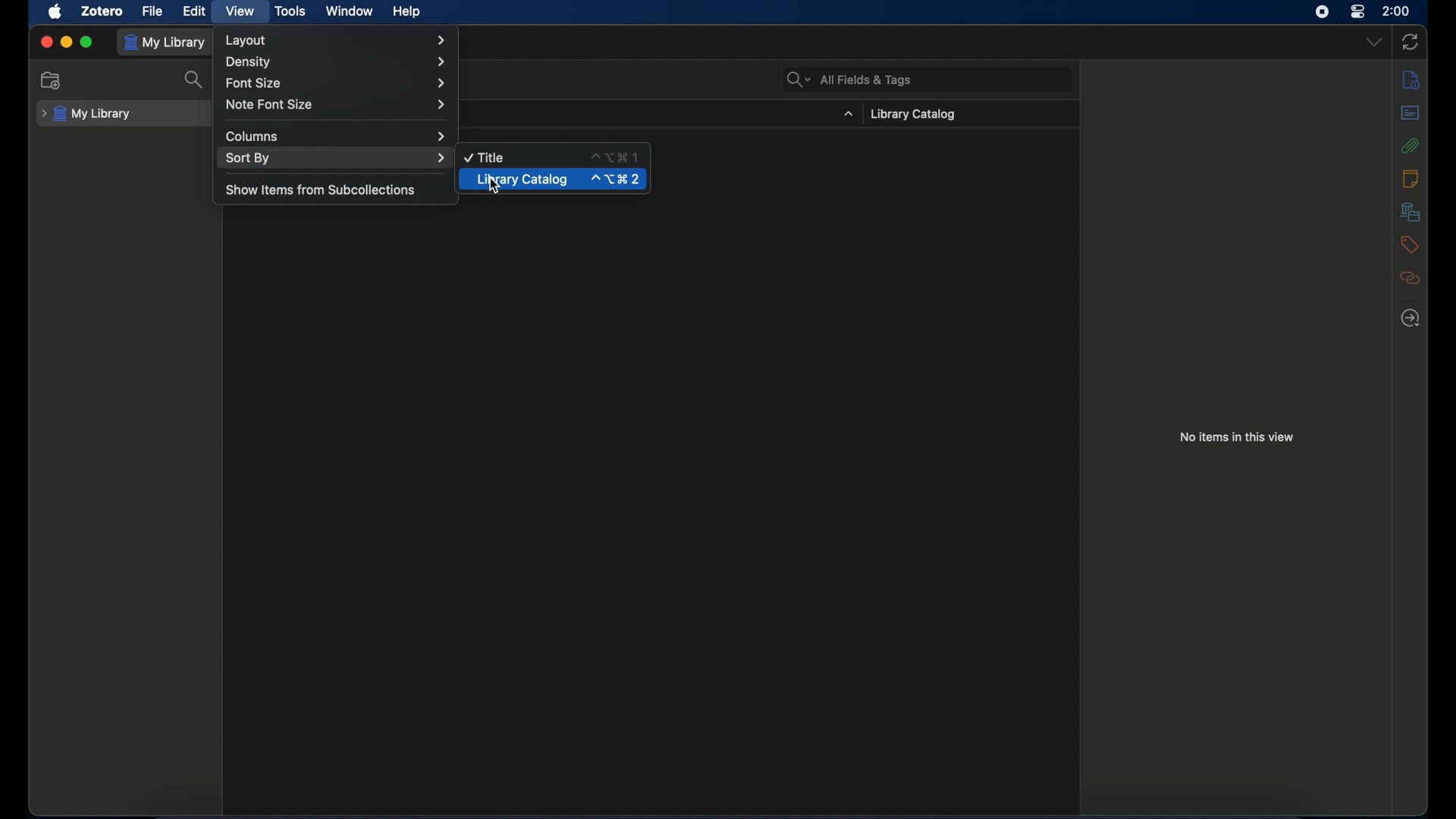 The image size is (1456, 819). I want to click on library catalog, so click(913, 115).